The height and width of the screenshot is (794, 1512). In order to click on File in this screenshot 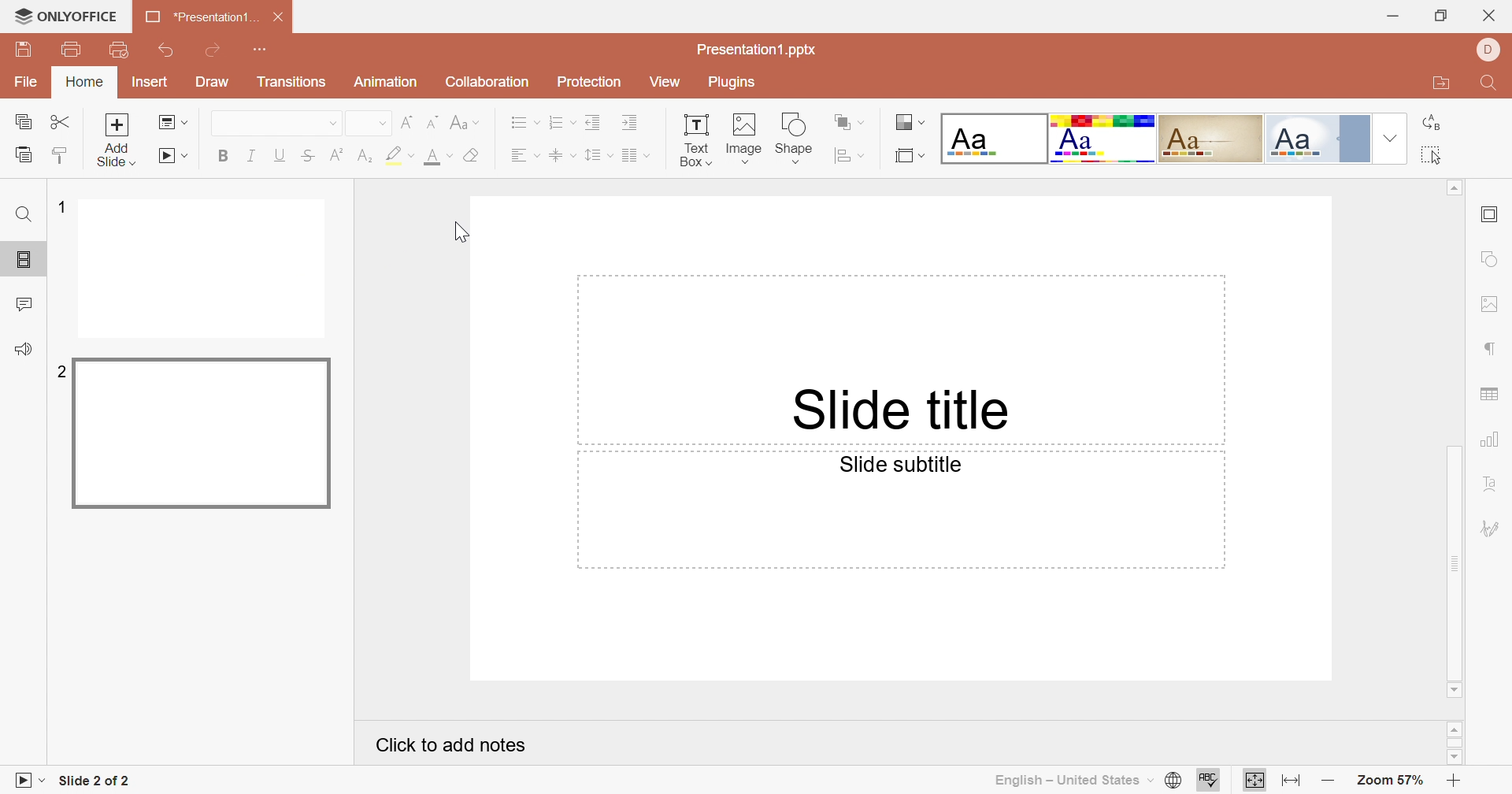, I will do `click(23, 83)`.